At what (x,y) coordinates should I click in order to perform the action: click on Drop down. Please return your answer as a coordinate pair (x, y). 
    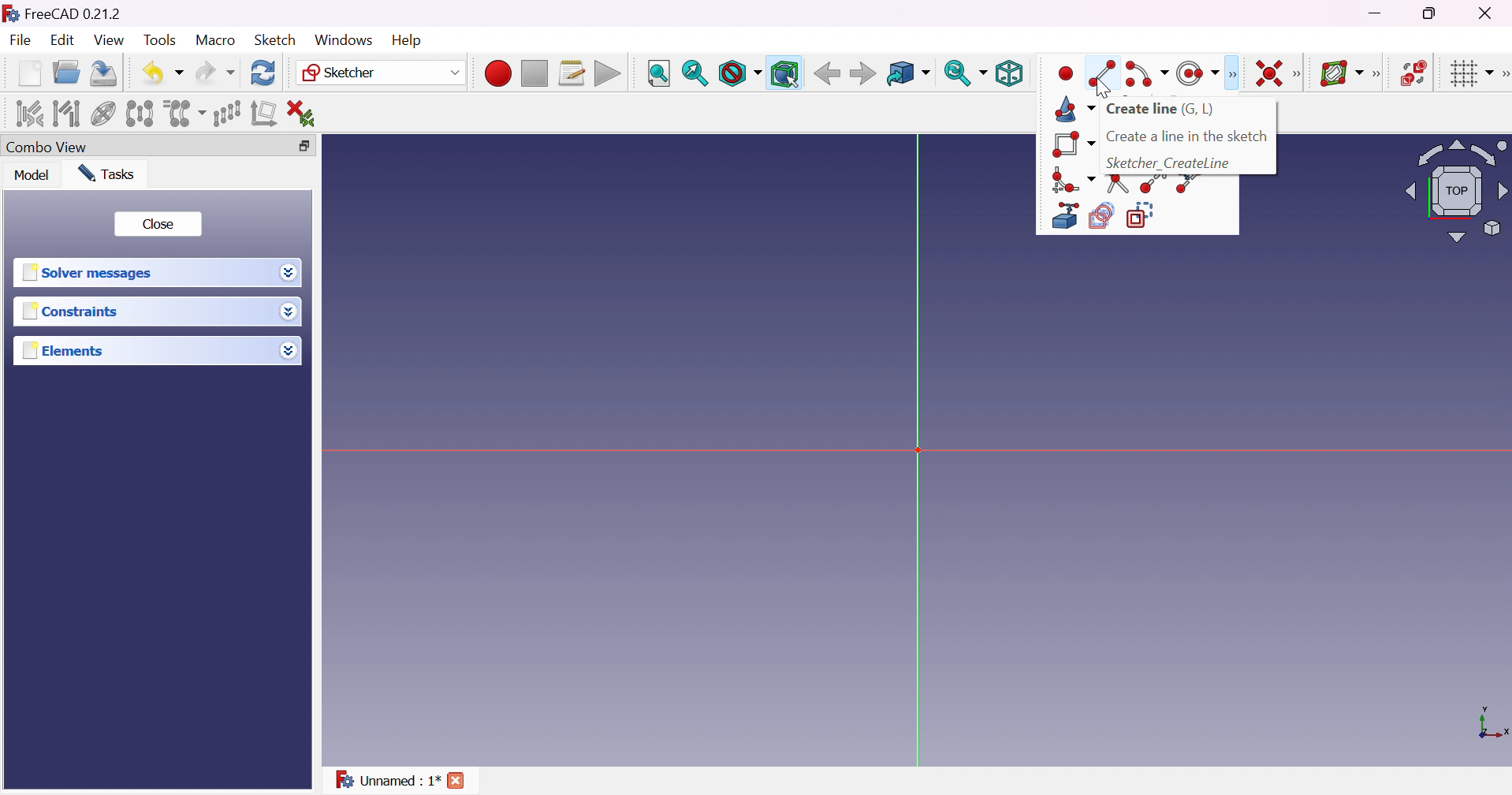
    Looking at the image, I should click on (291, 353).